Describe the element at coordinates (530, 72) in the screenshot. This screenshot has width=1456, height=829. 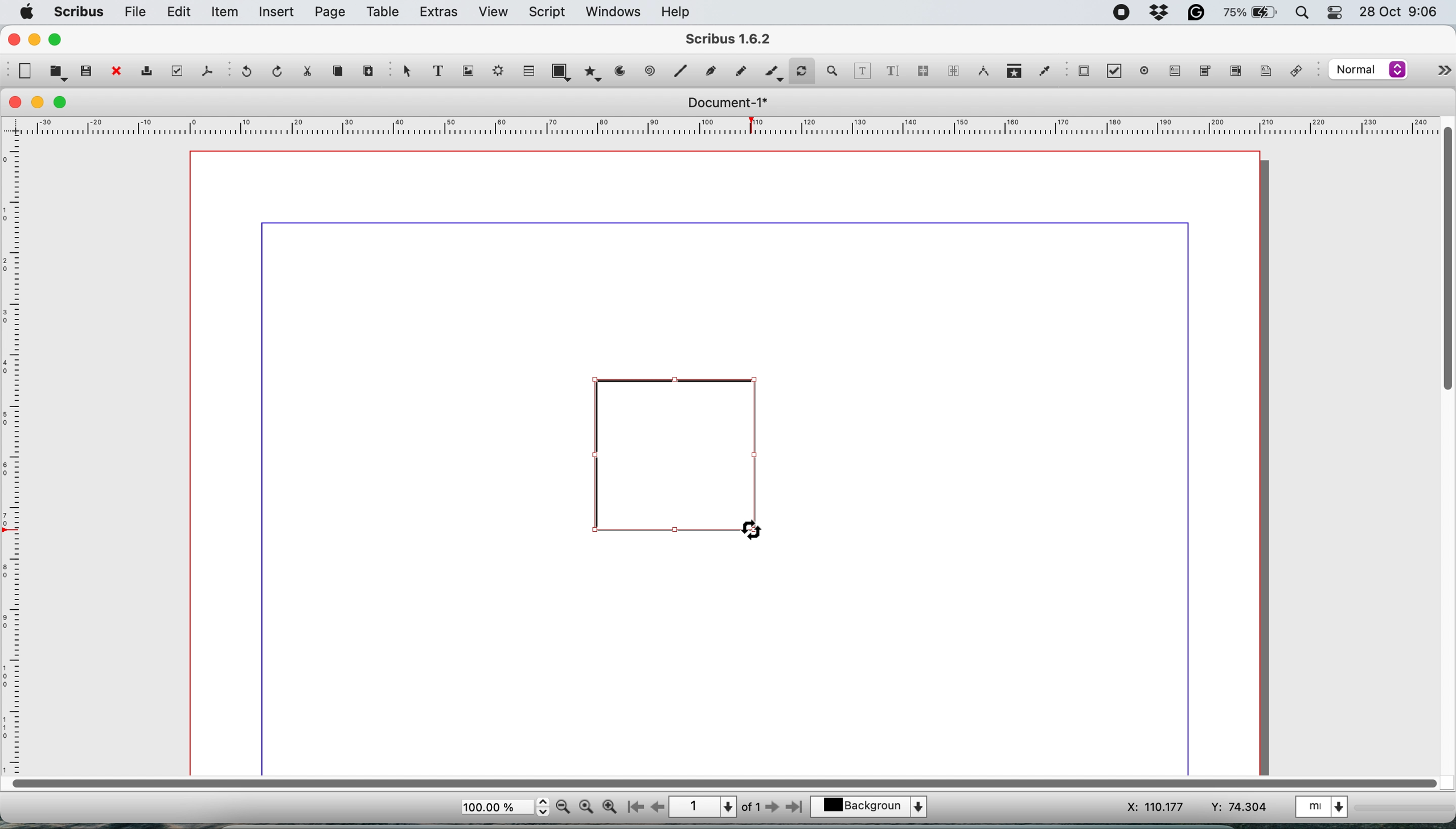
I see `table` at that location.